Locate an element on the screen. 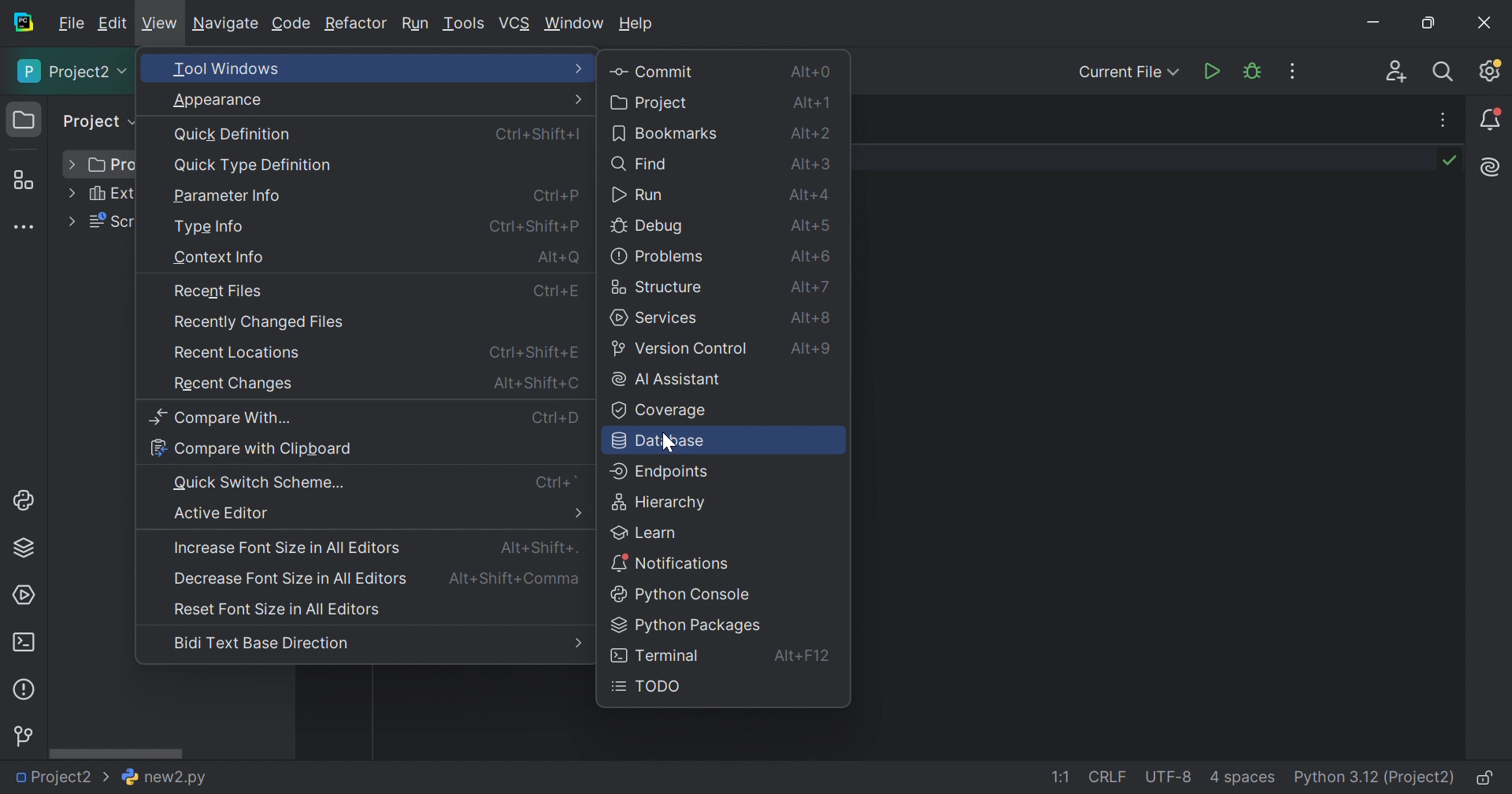 This screenshot has height=794, width=1512. Notifications is located at coordinates (1492, 119).